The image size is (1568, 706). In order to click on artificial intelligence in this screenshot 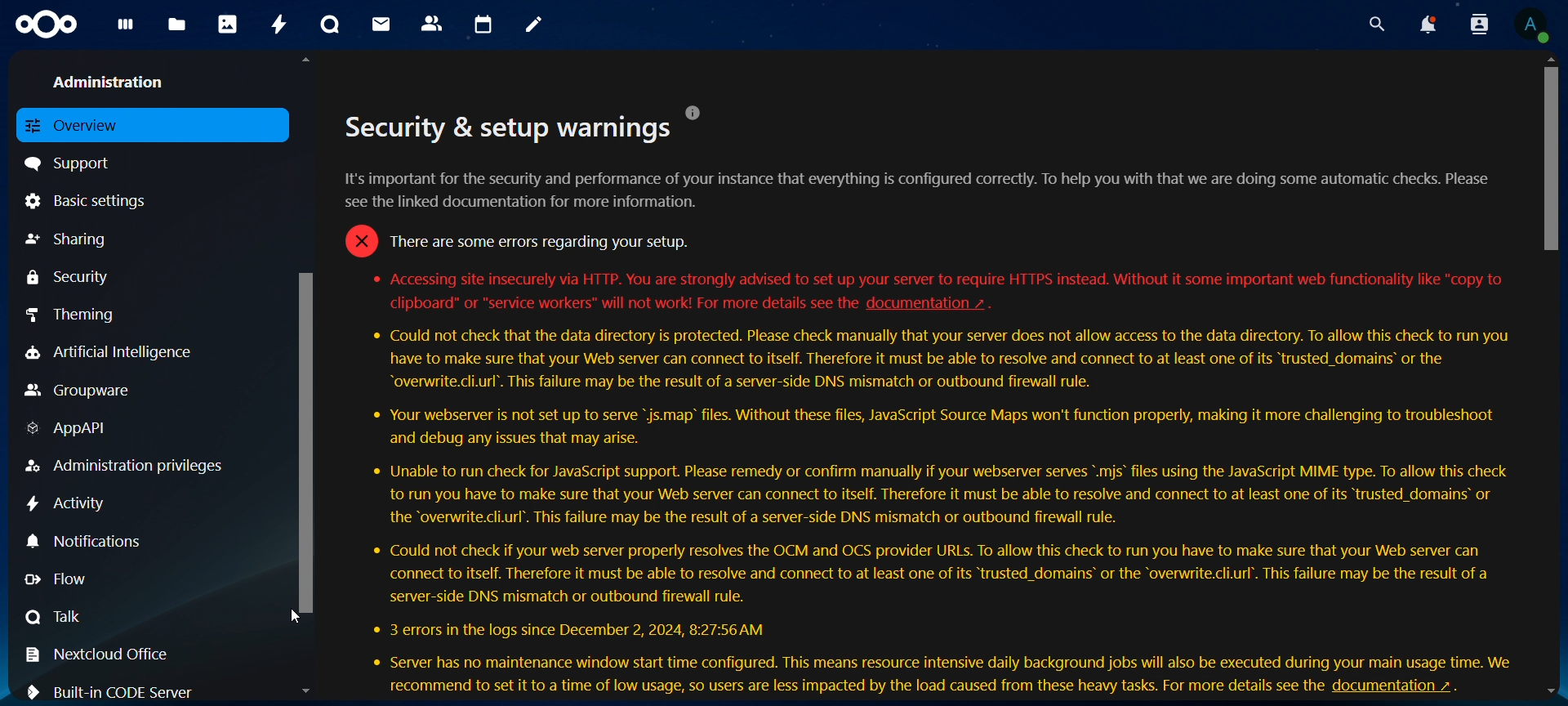, I will do `click(109, 353)`.